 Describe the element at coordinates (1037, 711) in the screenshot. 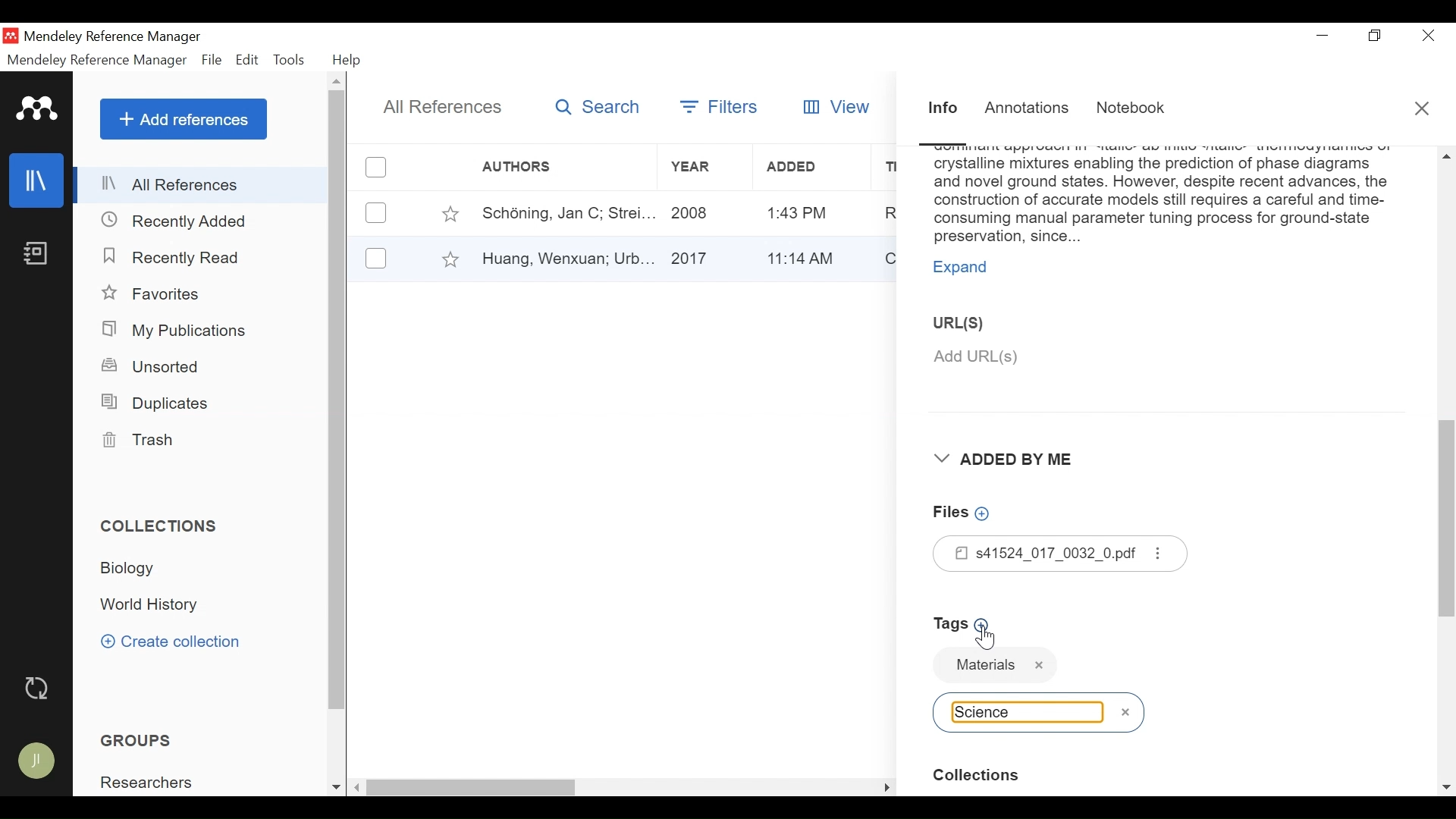

I see `Tag name` at that location.